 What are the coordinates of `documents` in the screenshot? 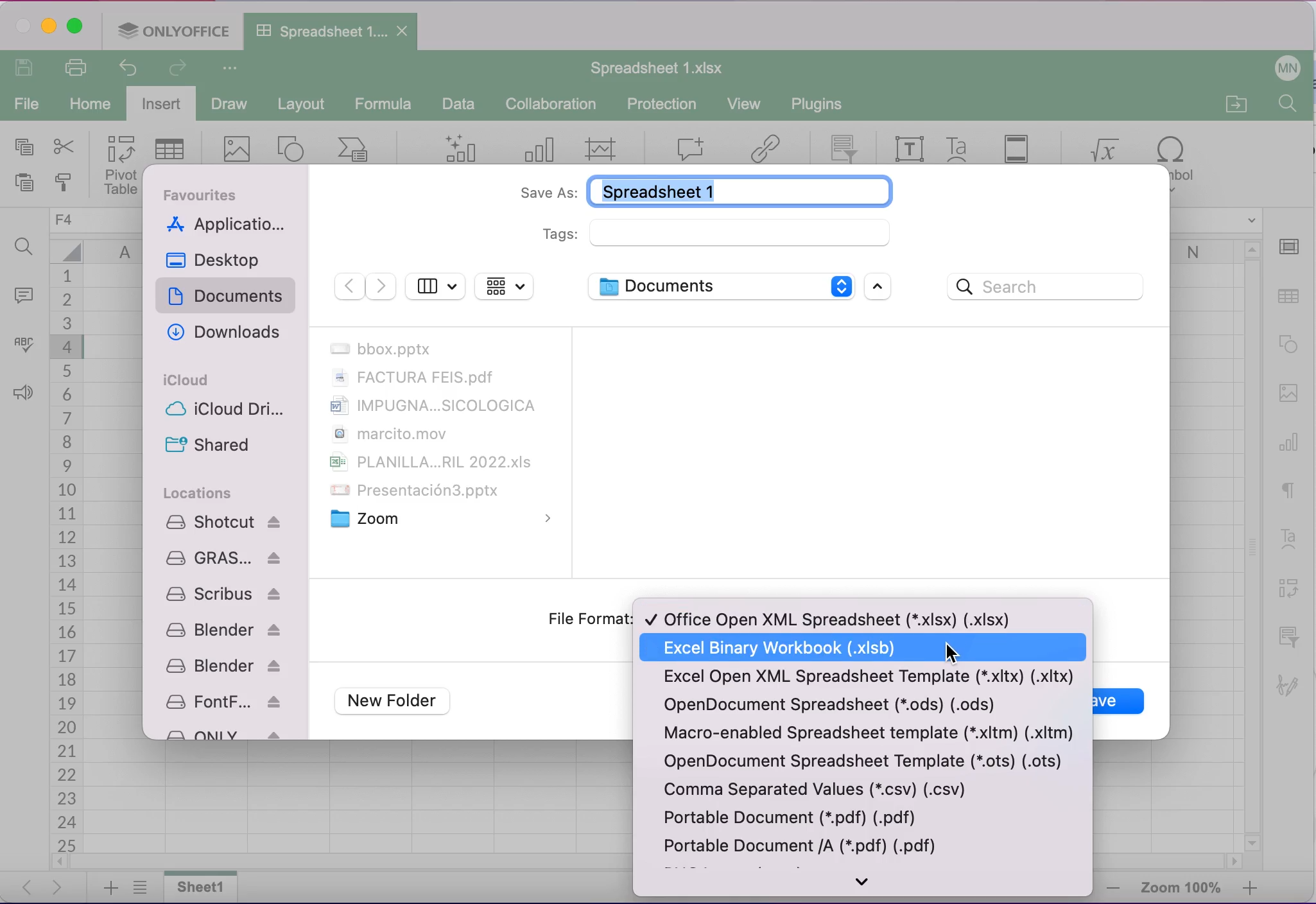 It's located at (438, 435).